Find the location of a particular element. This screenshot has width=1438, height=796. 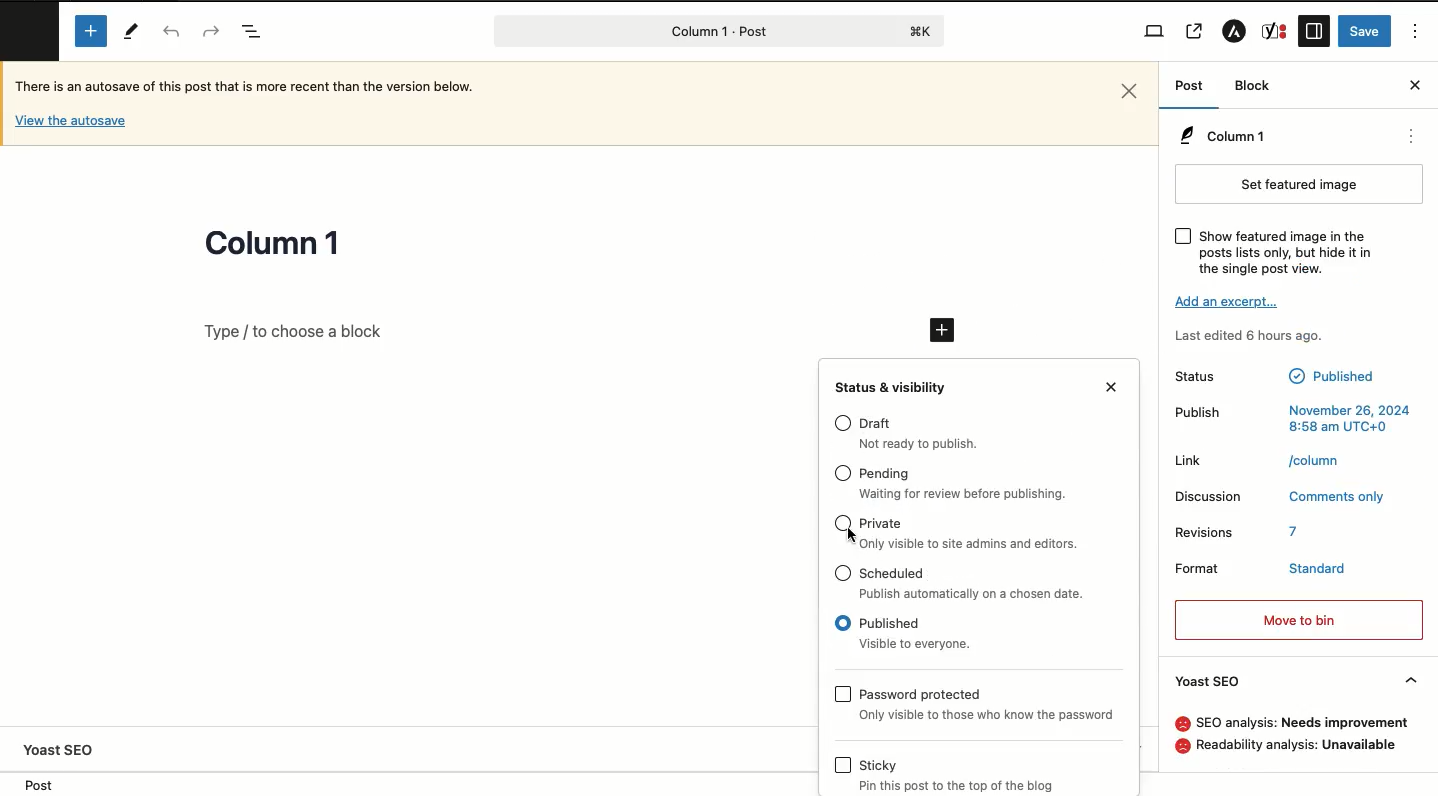

7 is located at coordinates (1297, 532).